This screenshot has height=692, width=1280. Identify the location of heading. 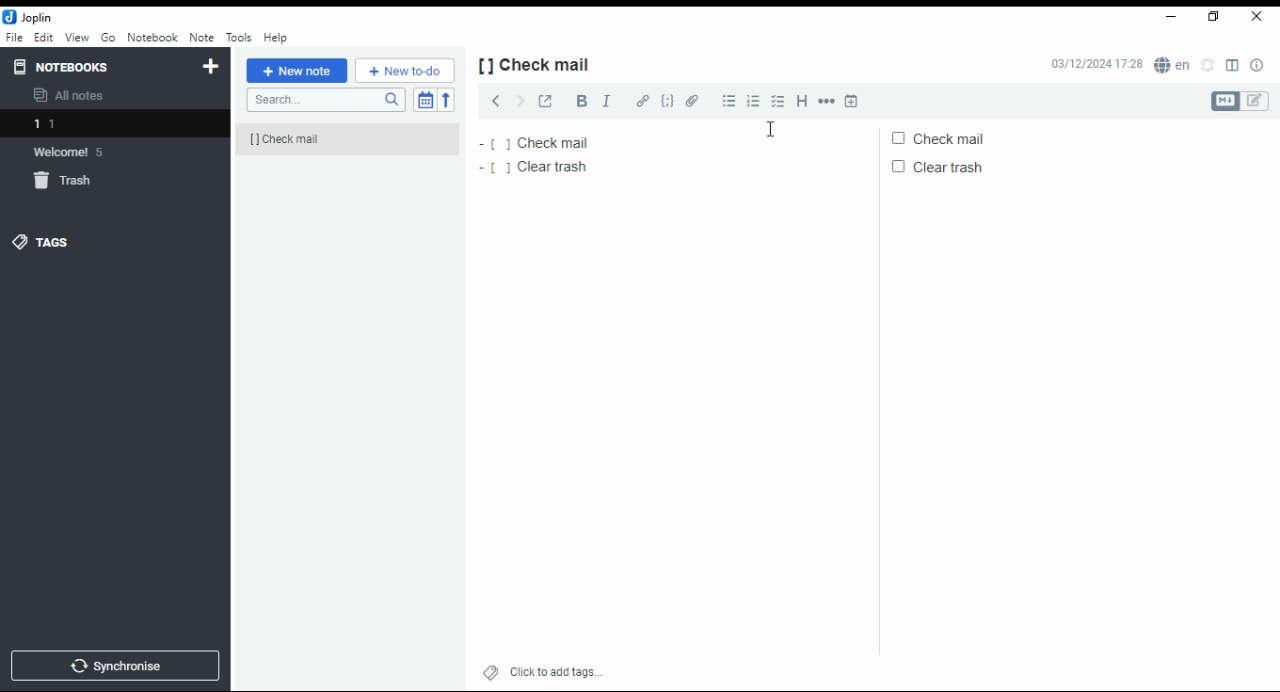
(803, 101).